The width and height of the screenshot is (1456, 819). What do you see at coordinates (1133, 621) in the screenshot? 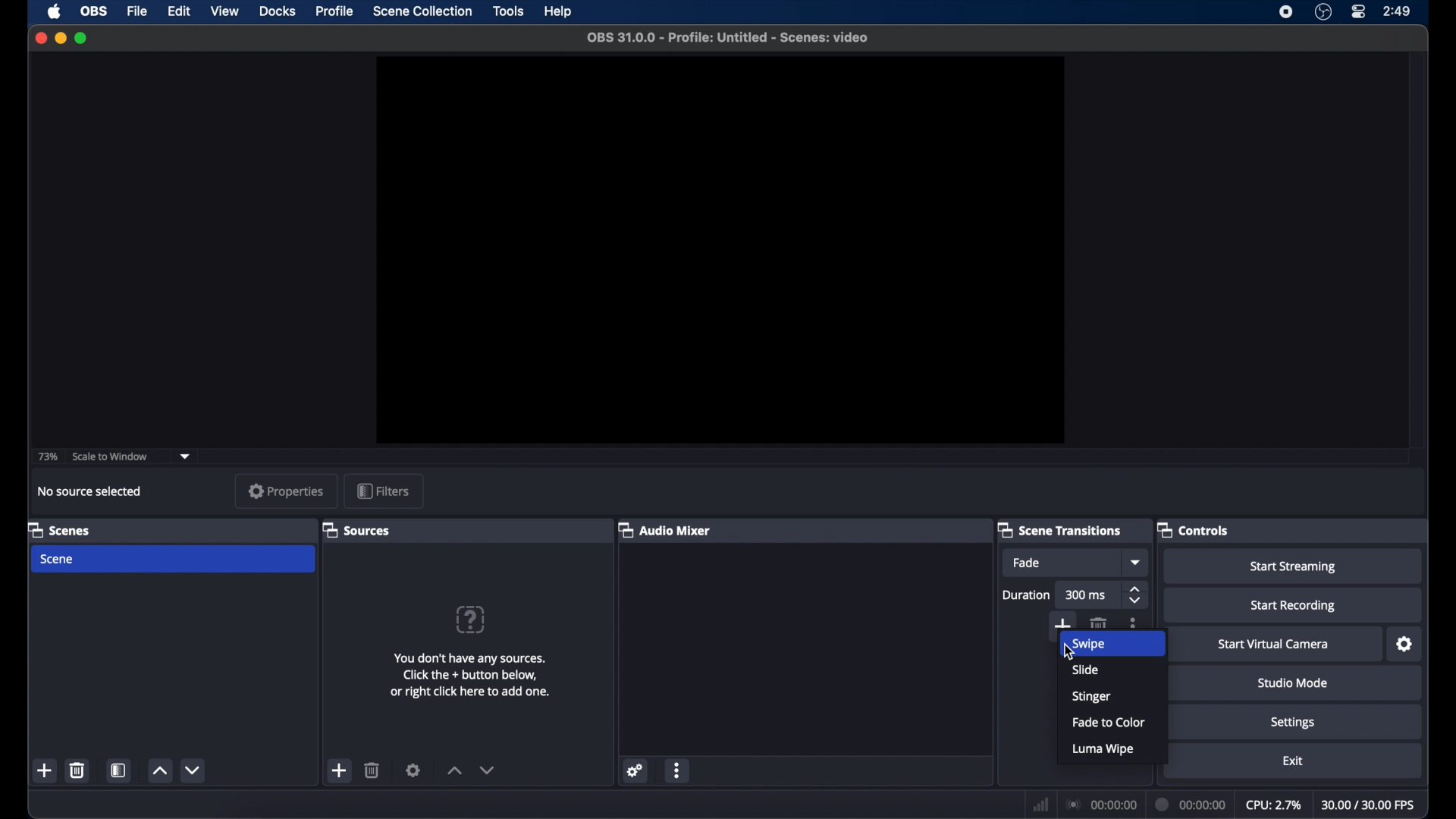
I see `moreoptions` at bounding box center [1133, 621].